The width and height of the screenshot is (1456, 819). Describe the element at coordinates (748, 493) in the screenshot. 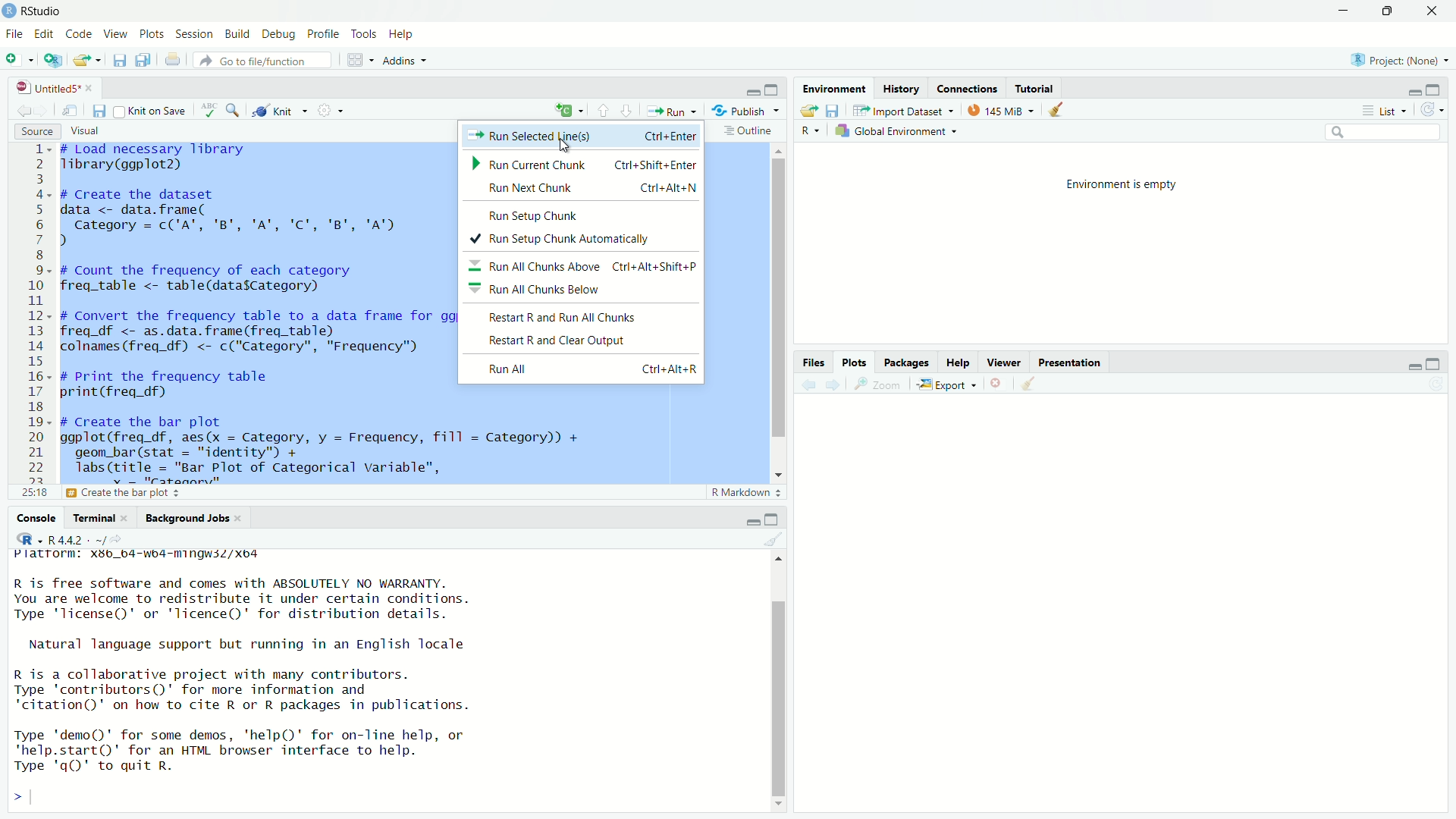

I see `R markdown` at that location.